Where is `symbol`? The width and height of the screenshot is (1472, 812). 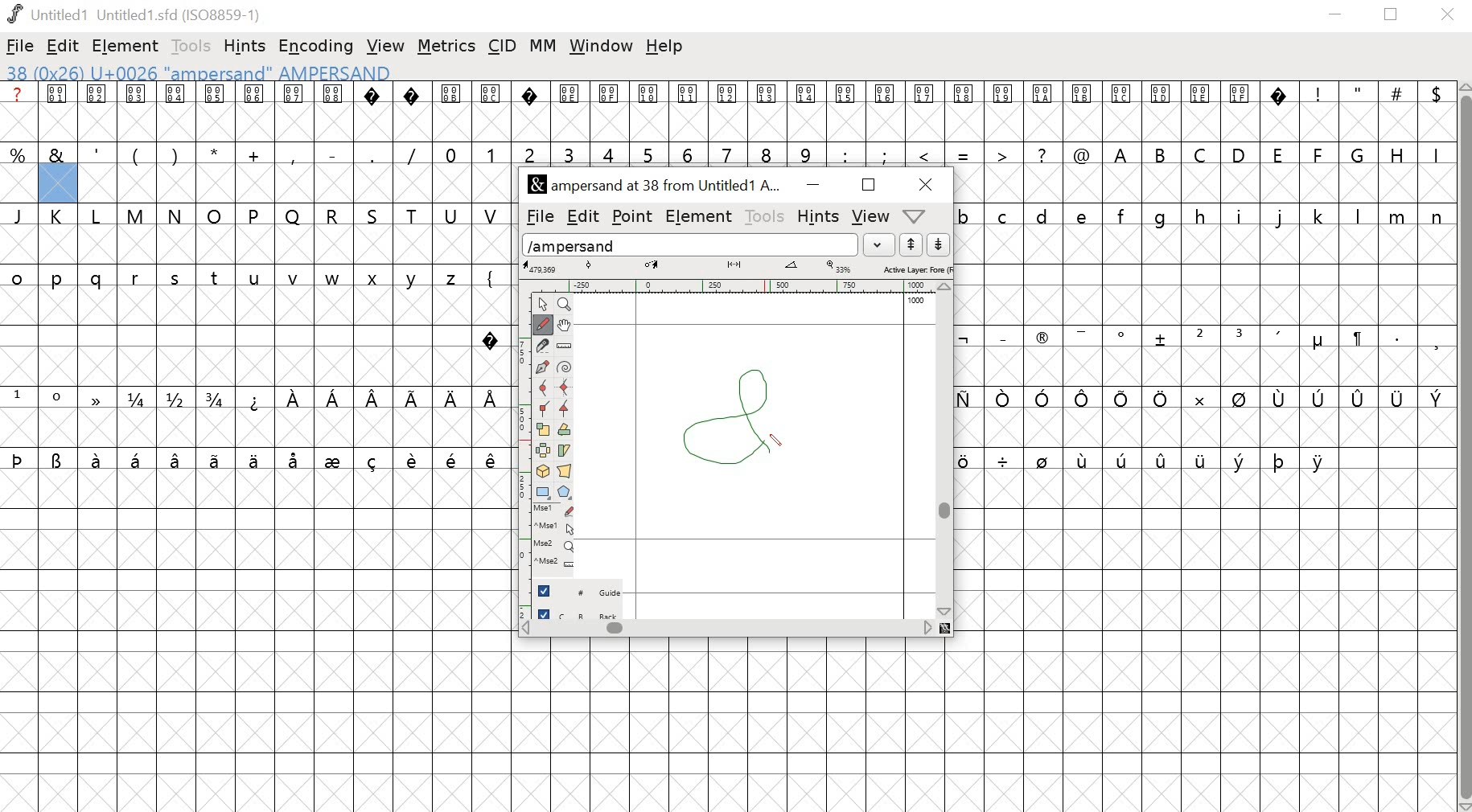
symbol is located at coordinates (1124, 399).